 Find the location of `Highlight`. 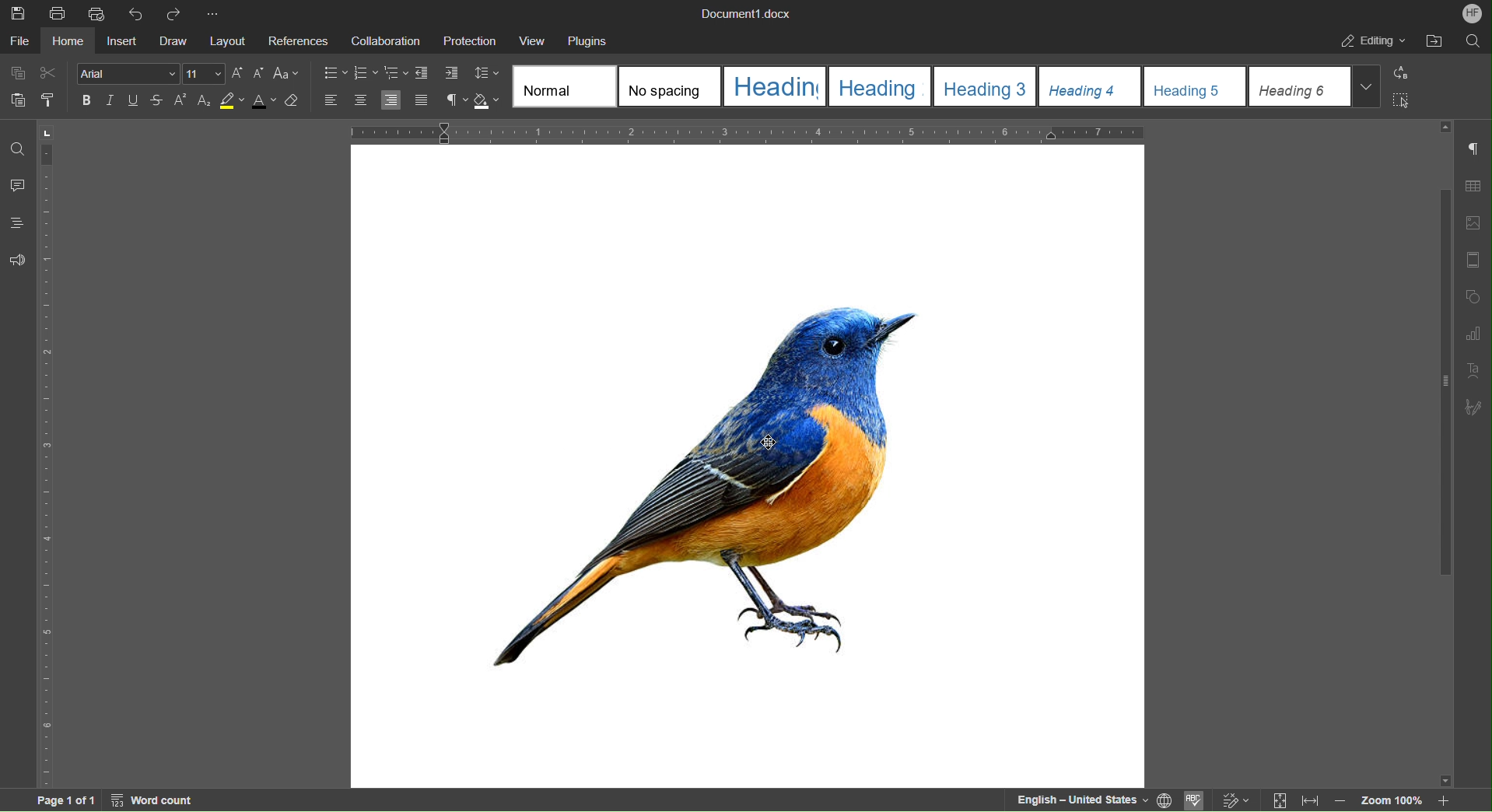

Highlight is located at coordinates (232, 102).